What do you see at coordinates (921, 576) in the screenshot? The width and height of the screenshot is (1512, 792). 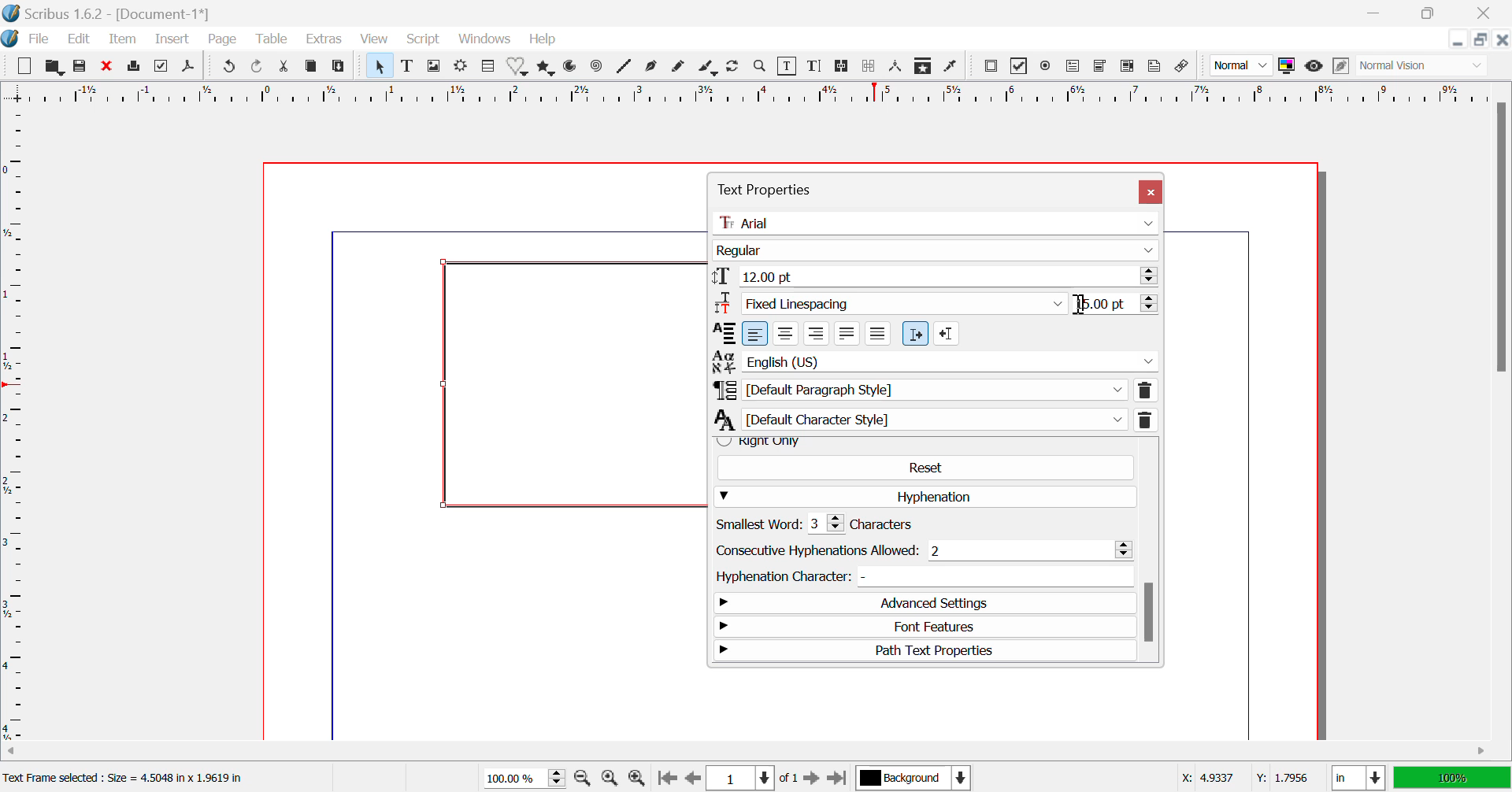 I see `Hyphenation Character` at bounding box center [921, 576].